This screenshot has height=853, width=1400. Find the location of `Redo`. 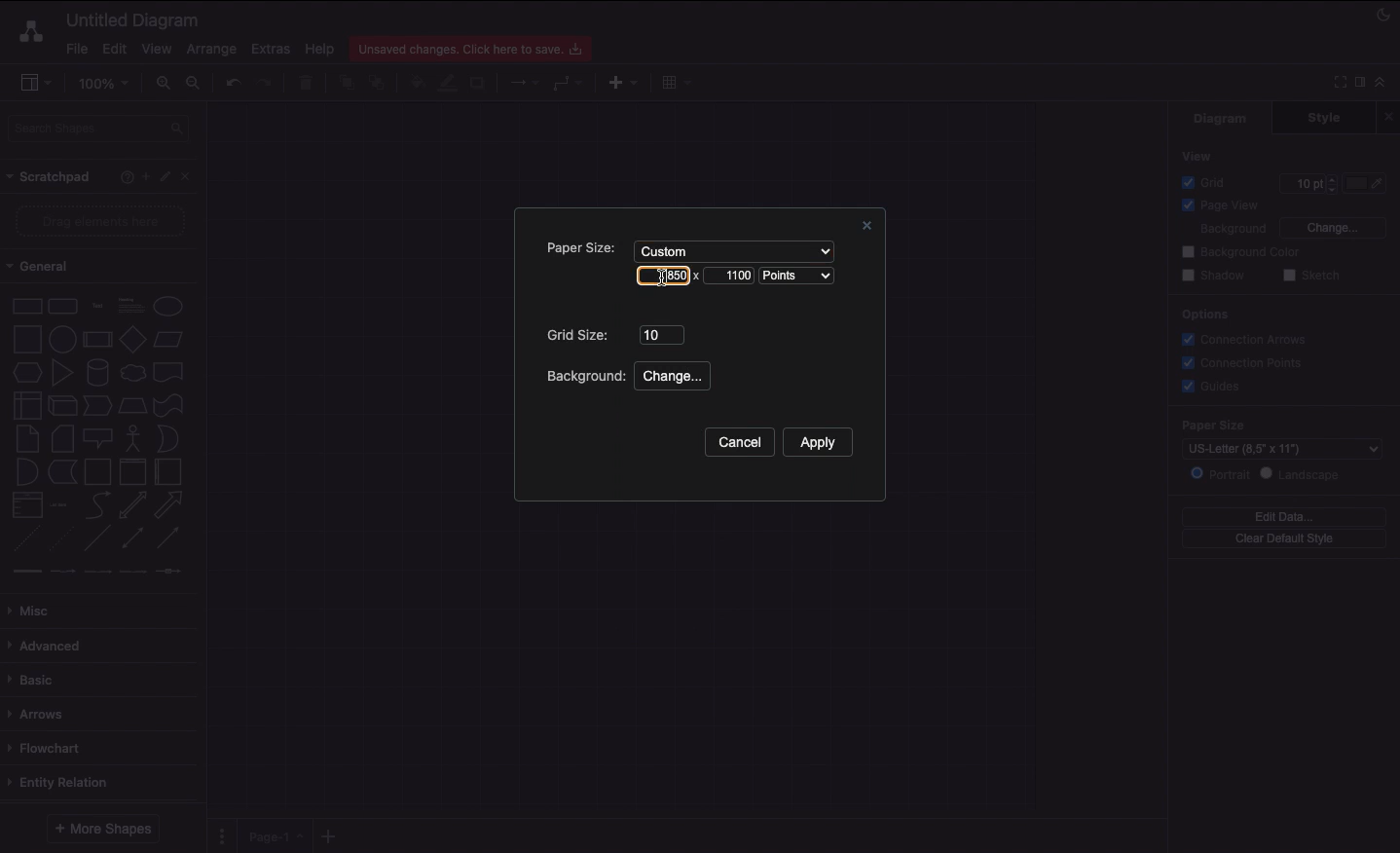

Redo is located at coordinates (264, 84).